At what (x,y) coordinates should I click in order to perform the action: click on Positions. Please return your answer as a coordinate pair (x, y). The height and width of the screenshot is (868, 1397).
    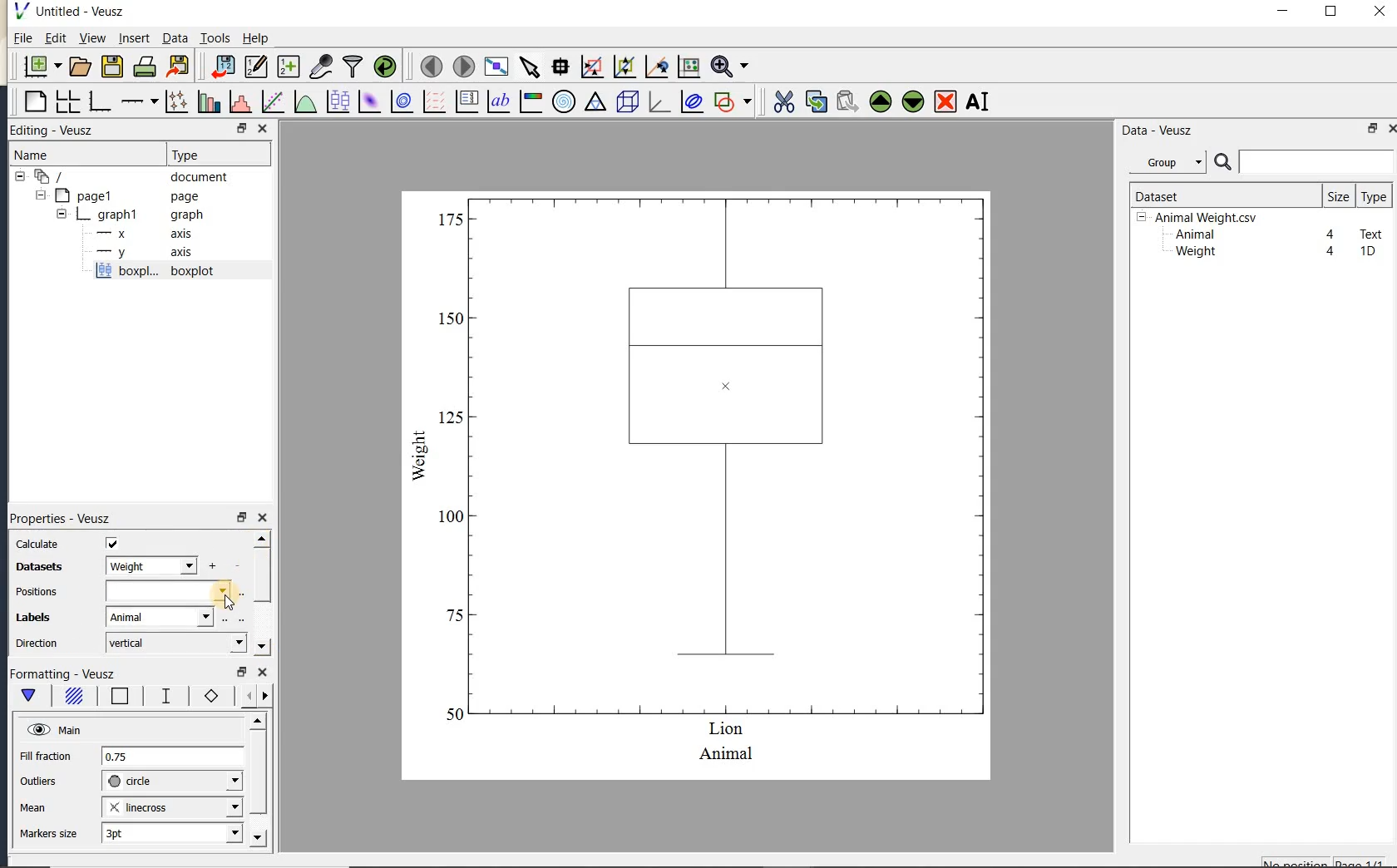
    Looking at the image, I should click on (34, 593).